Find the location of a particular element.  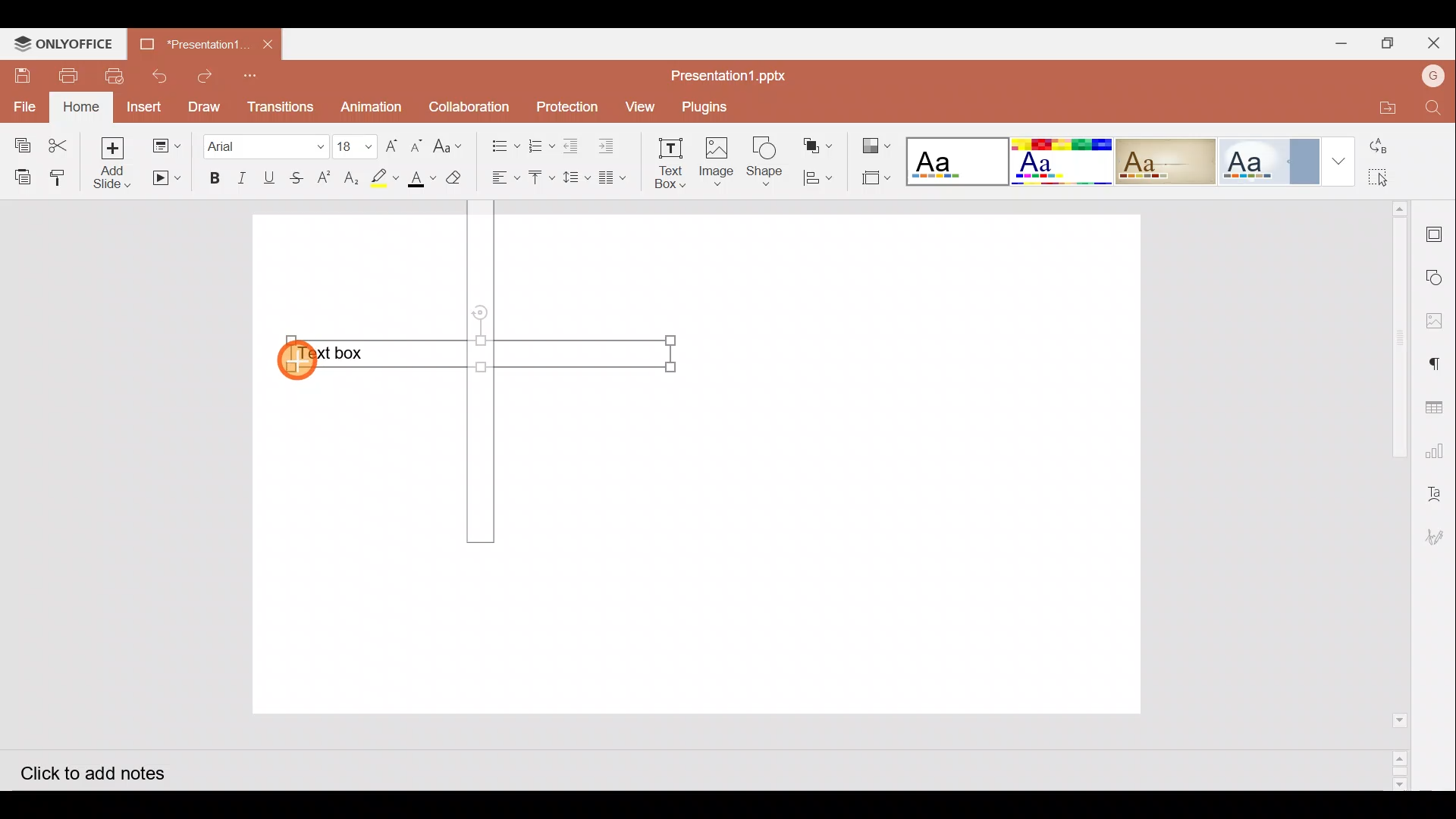

Classic is located at coordinates (1165, 158).